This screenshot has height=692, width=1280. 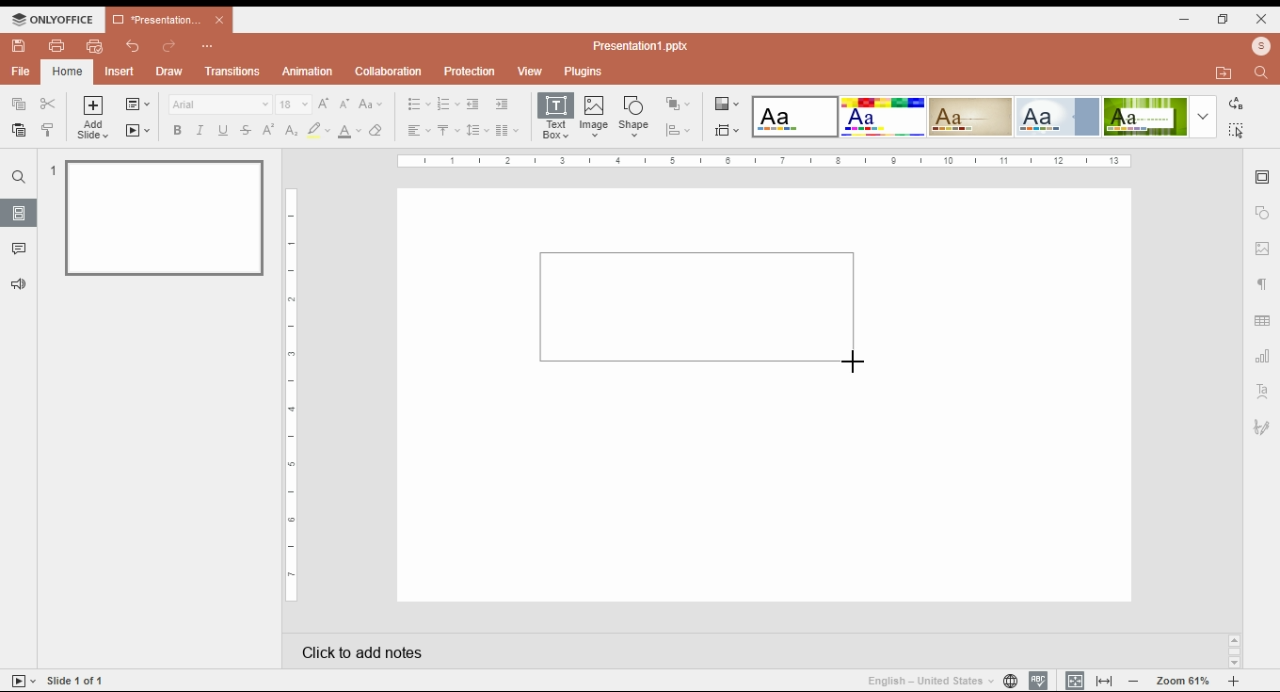 What do you see at coordinates (1105, 680) in the screenshot?
I see `fit to width` at bounding box center [1105, 680].